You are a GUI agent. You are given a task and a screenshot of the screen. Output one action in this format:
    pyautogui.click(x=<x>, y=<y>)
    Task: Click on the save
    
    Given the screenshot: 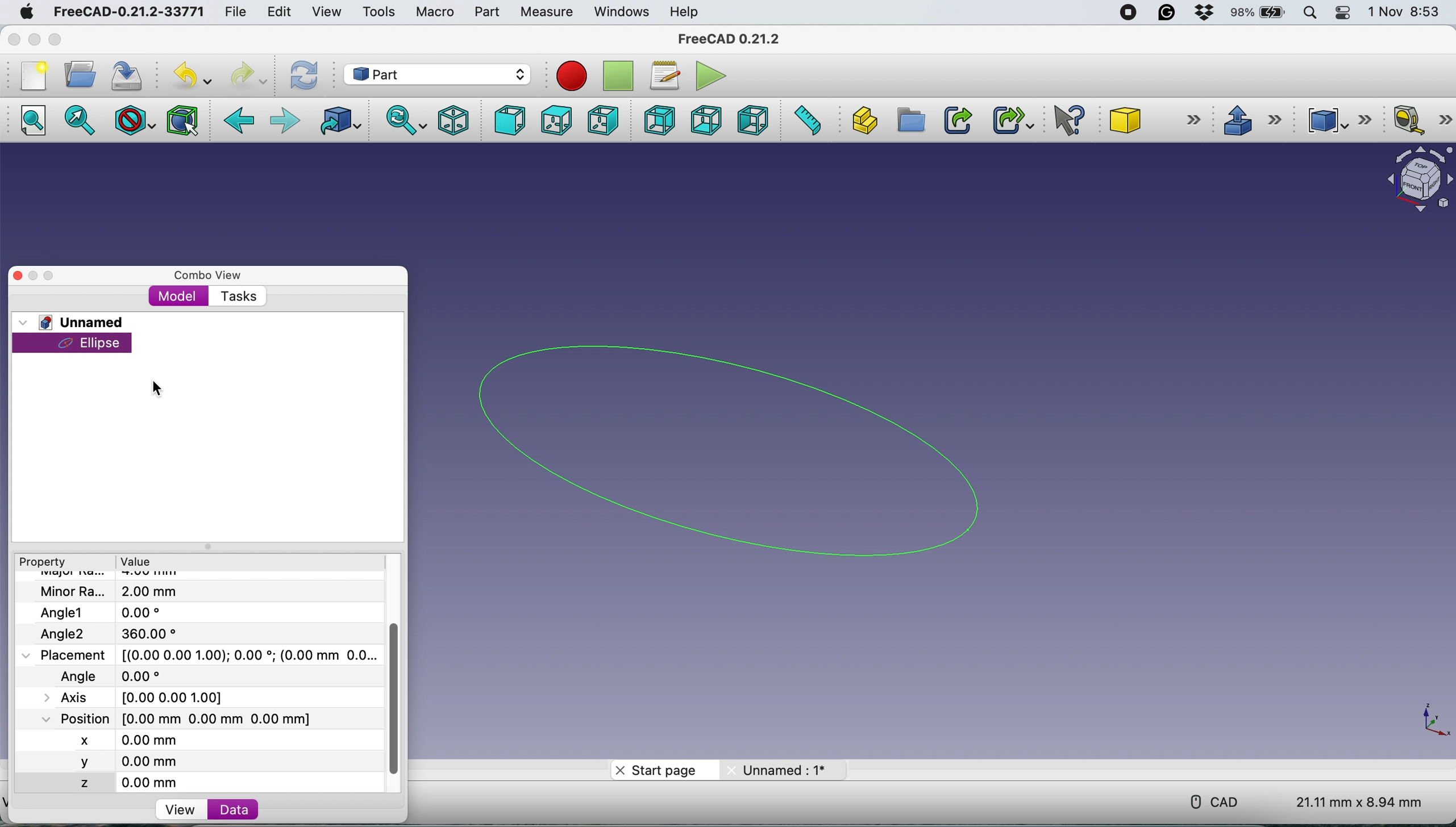 What is the action you would take?
    pyautogui.click(x=130, y=74)
    